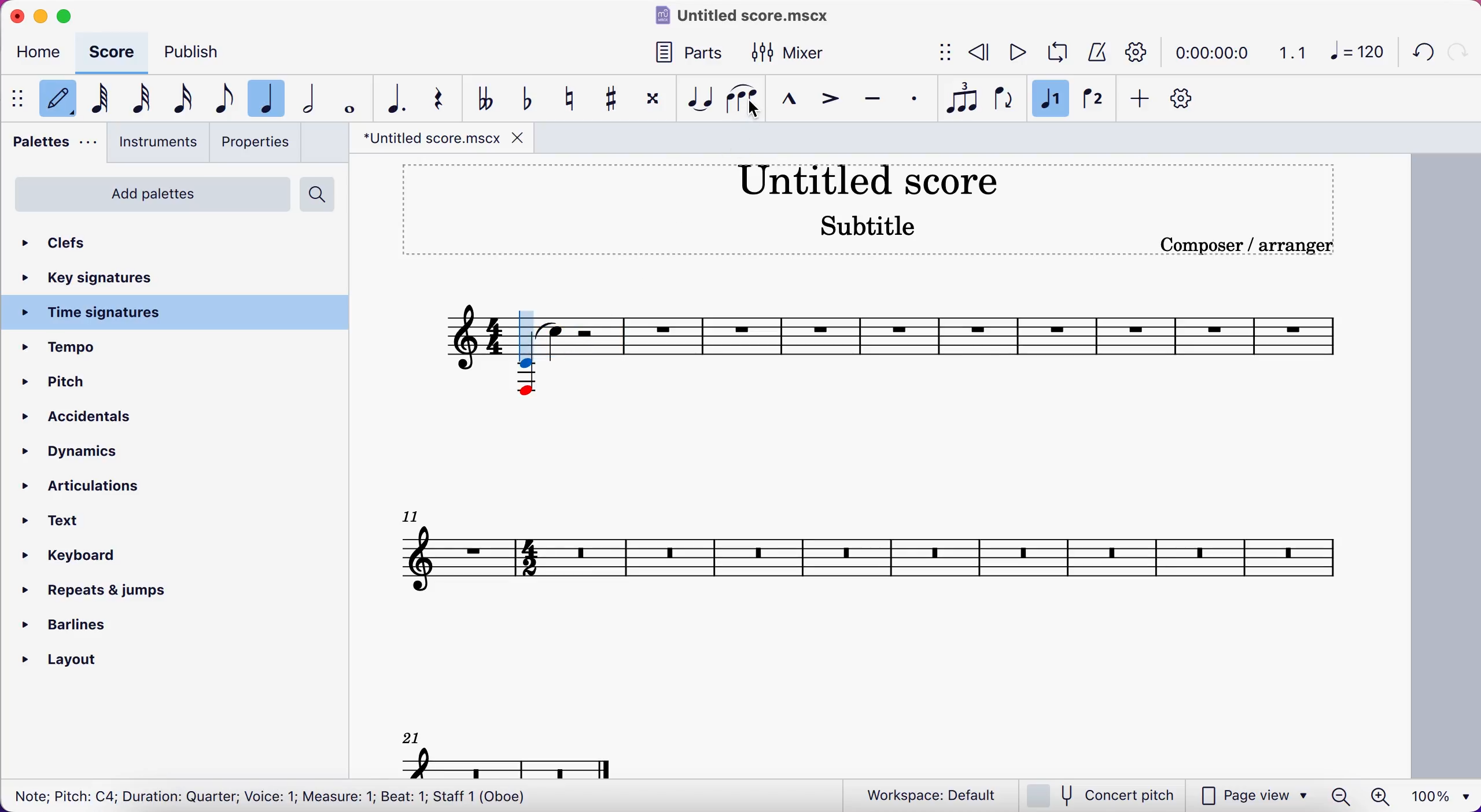 This screenshot has height=812, width=1481. Describe the element at coordinates (748, 18) in the screenshot. I see `untitled score.mscx` at that location.